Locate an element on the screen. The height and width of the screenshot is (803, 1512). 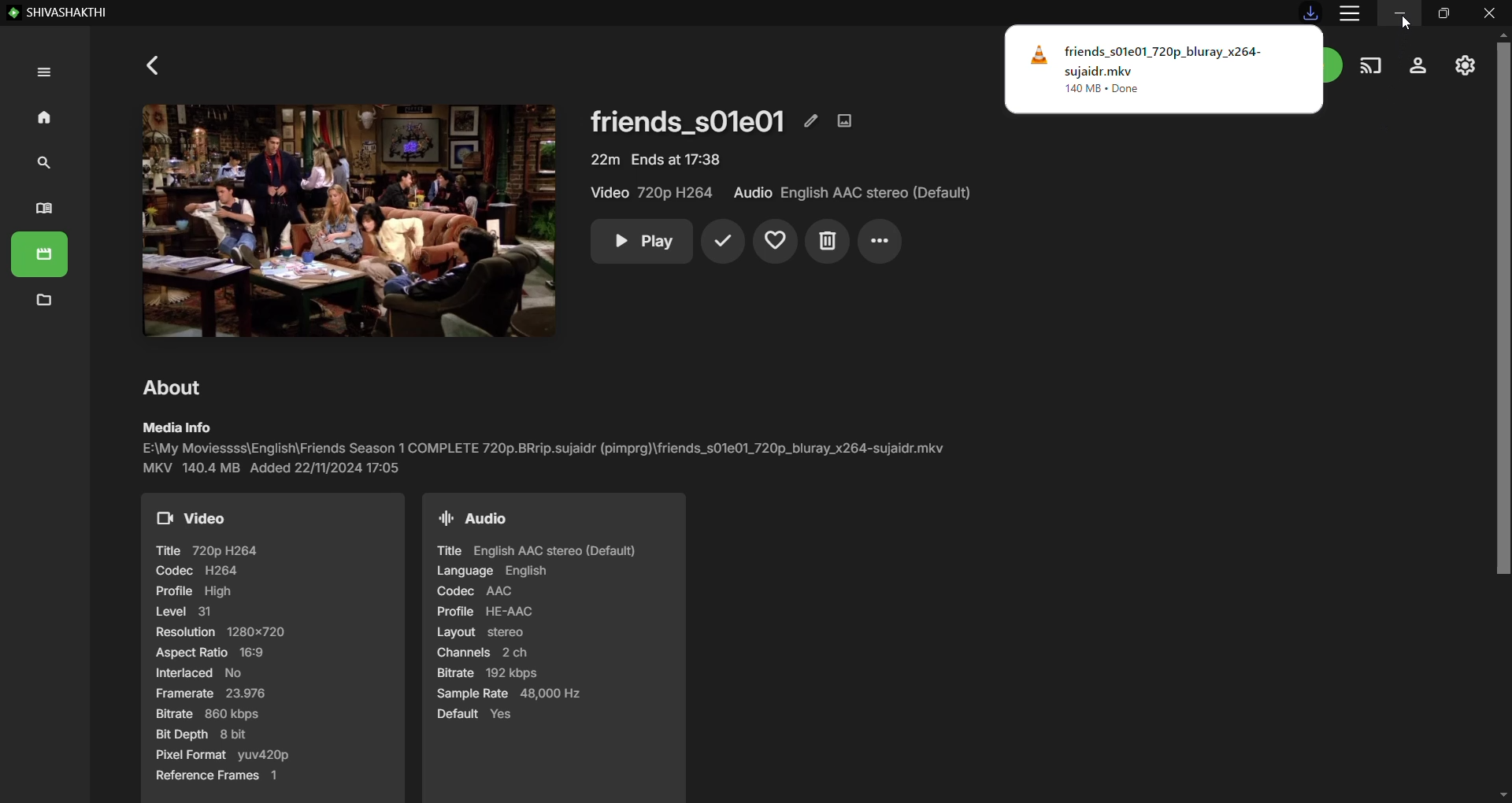
Add to Favorites is located at coordinates (776, 242).